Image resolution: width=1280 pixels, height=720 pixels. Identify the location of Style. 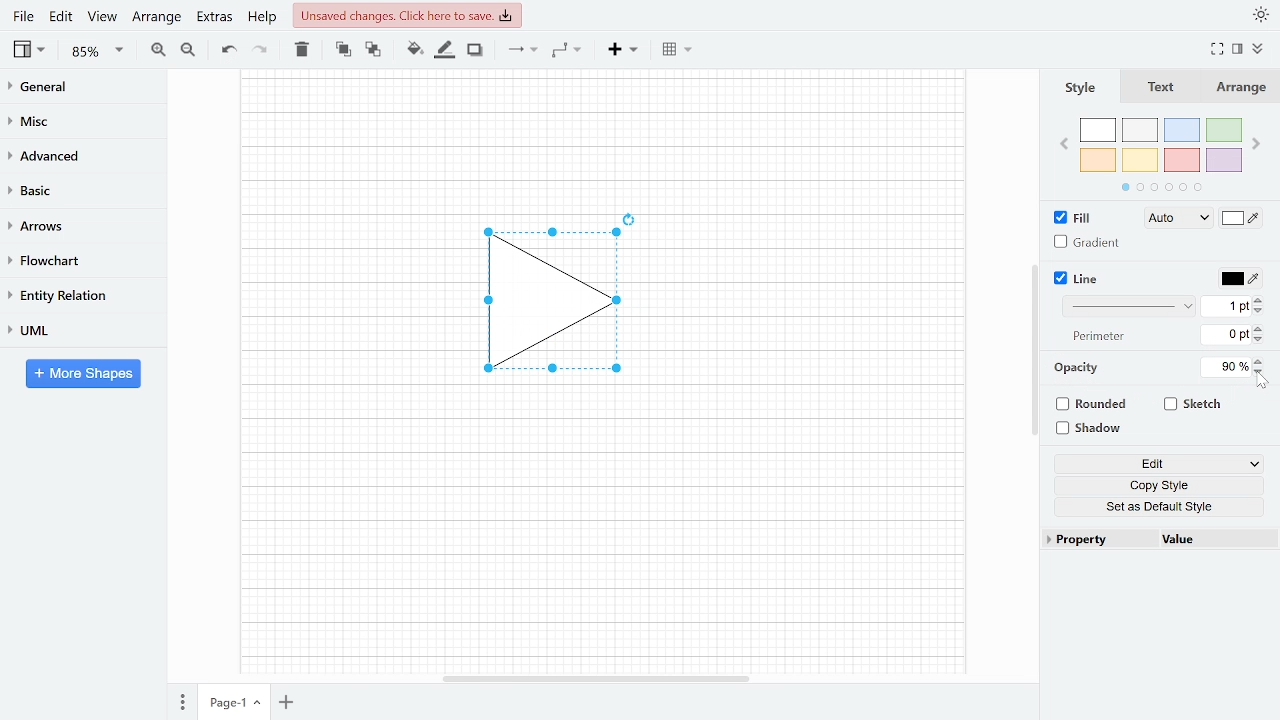
(1078, 87).